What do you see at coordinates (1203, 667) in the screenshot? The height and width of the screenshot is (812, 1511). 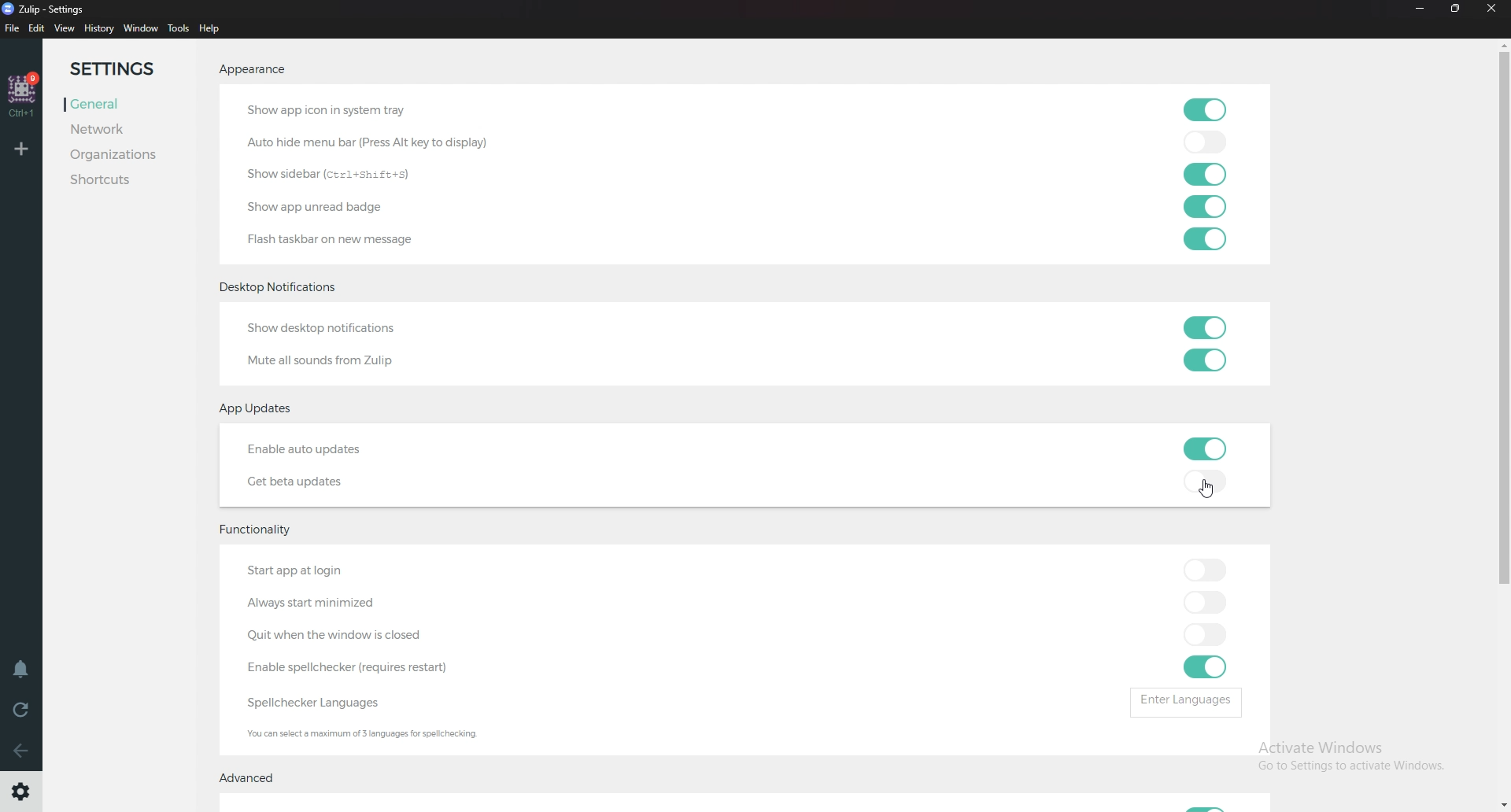 I see `toggle` at bounding box center [1203, 667].